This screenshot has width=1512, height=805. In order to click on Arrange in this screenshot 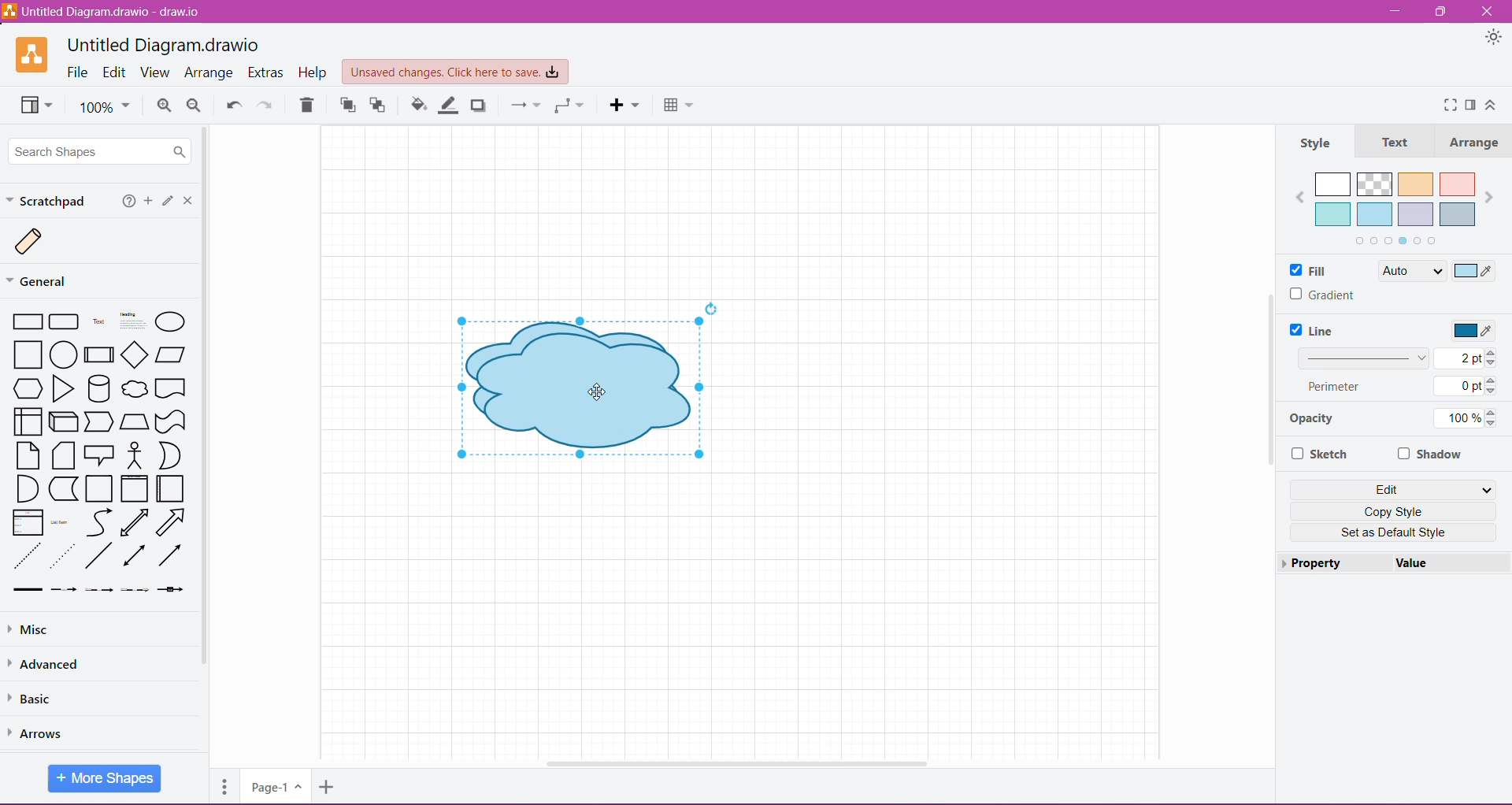, I will do `click(210, 73)`.